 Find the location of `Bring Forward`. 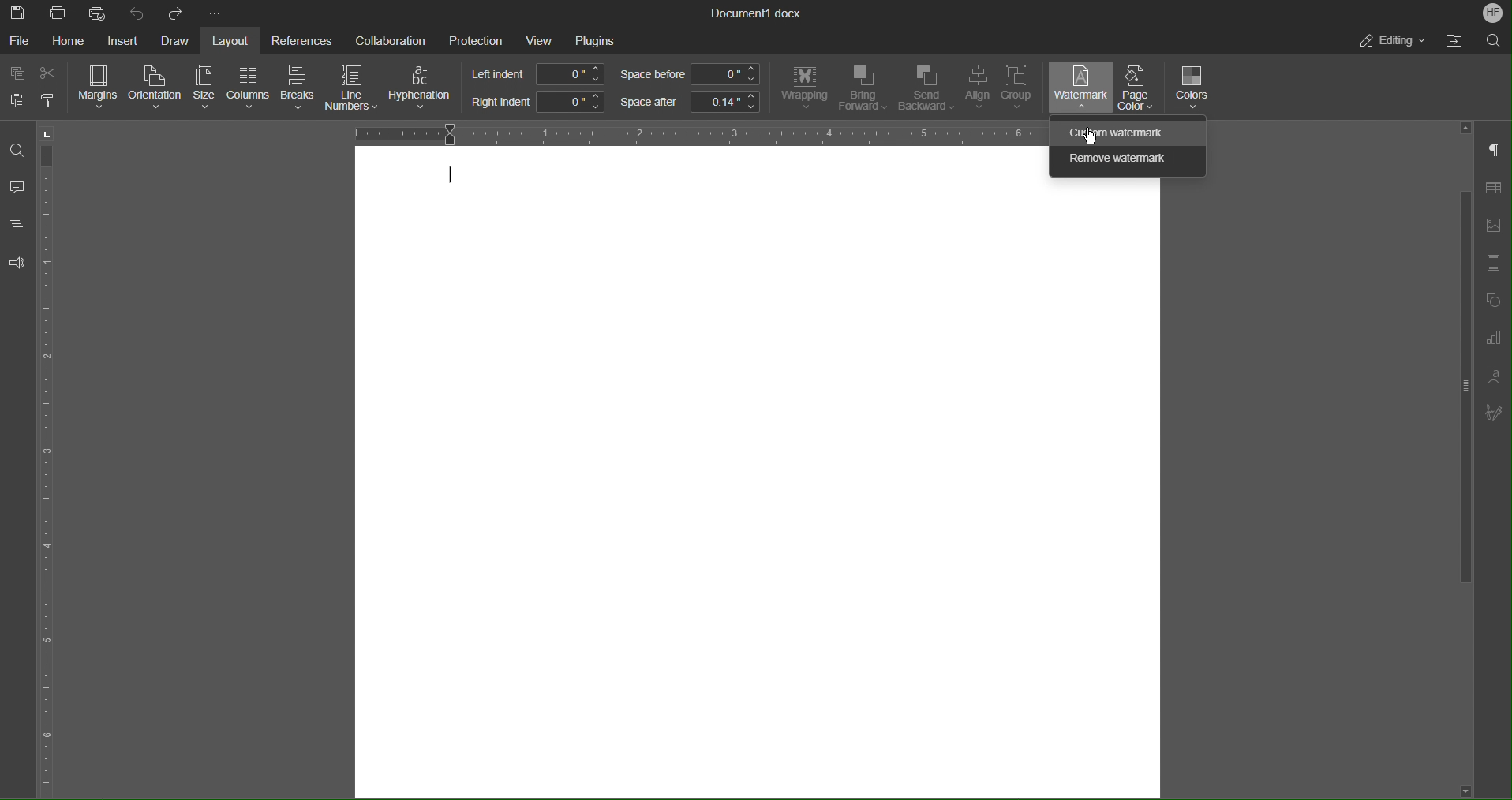

Bring Forward is located at coordinates (863, 88).